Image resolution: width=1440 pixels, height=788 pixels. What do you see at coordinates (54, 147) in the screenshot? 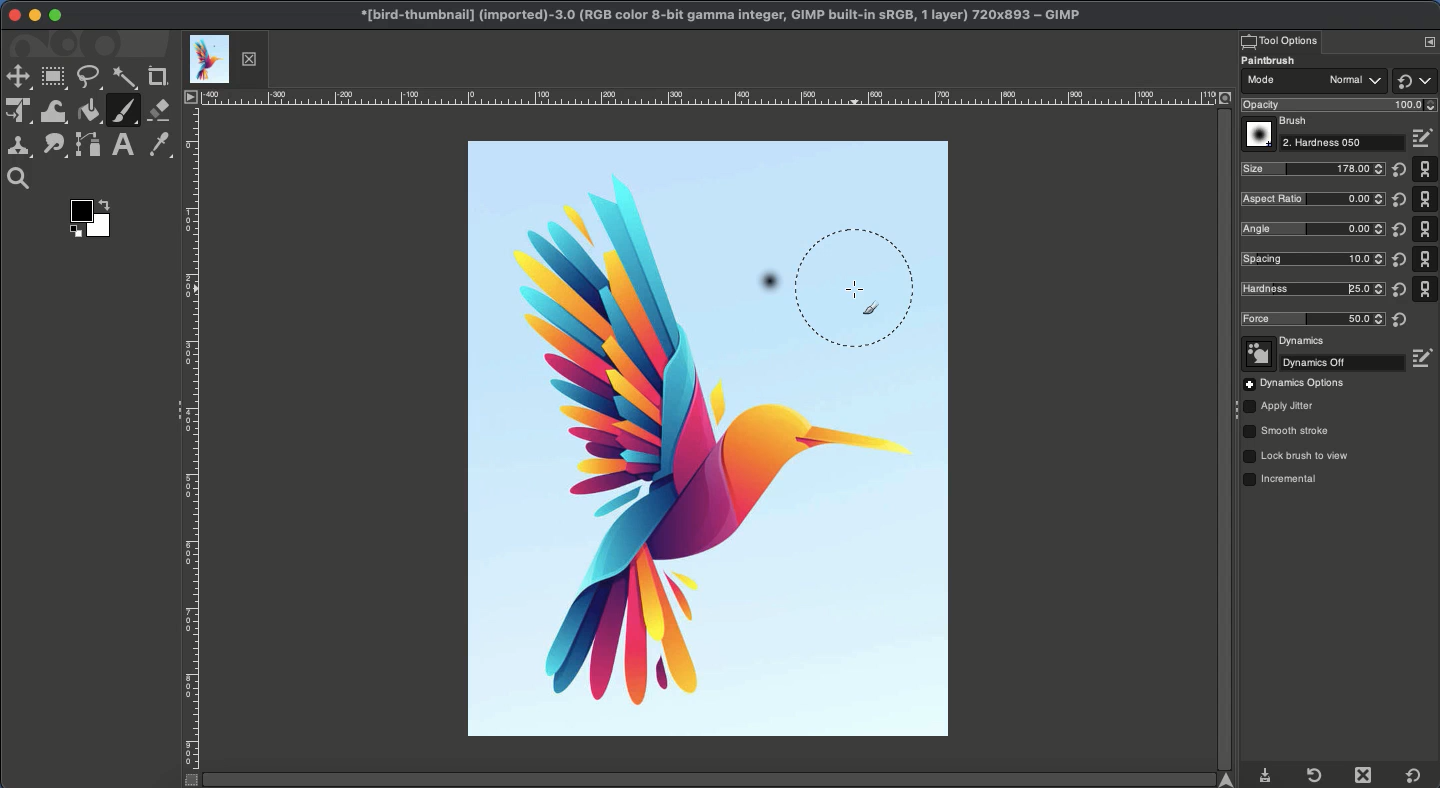
I see `Smudge` at bounding box center [54, 147].